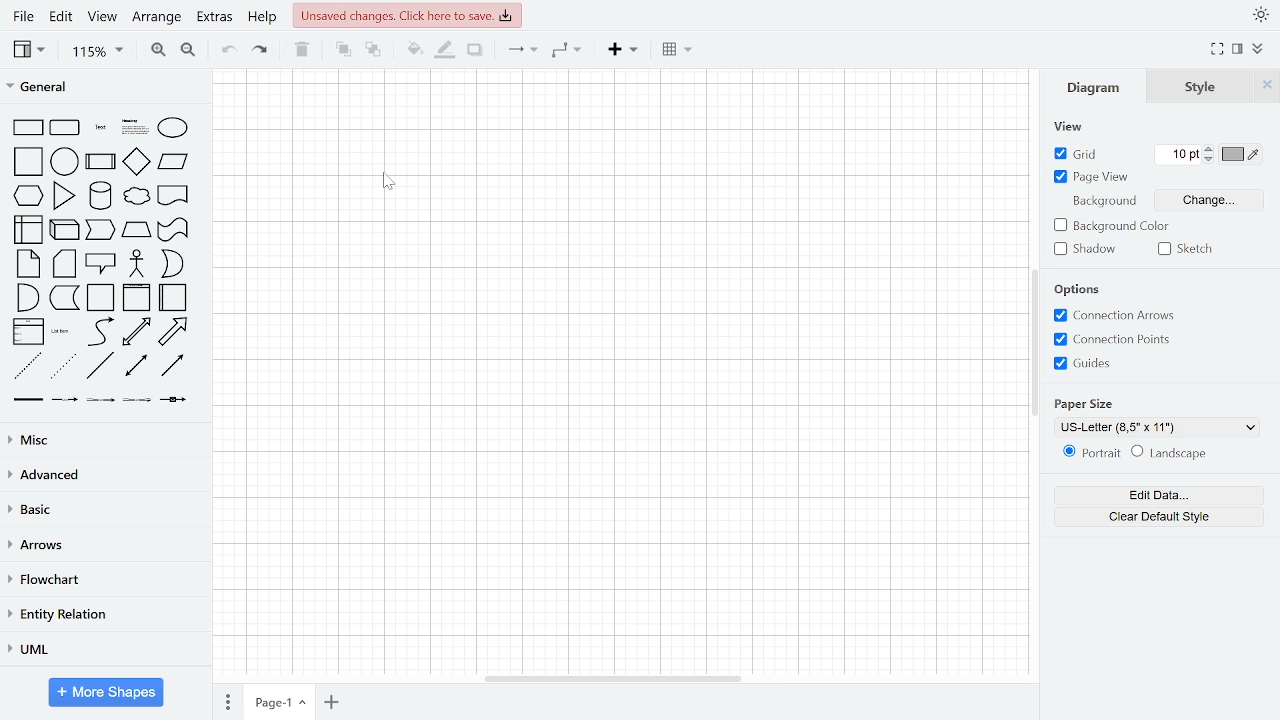 The width and height of the screenshot is (1280, 720). I want to click on portrait, so click(1093, 453).